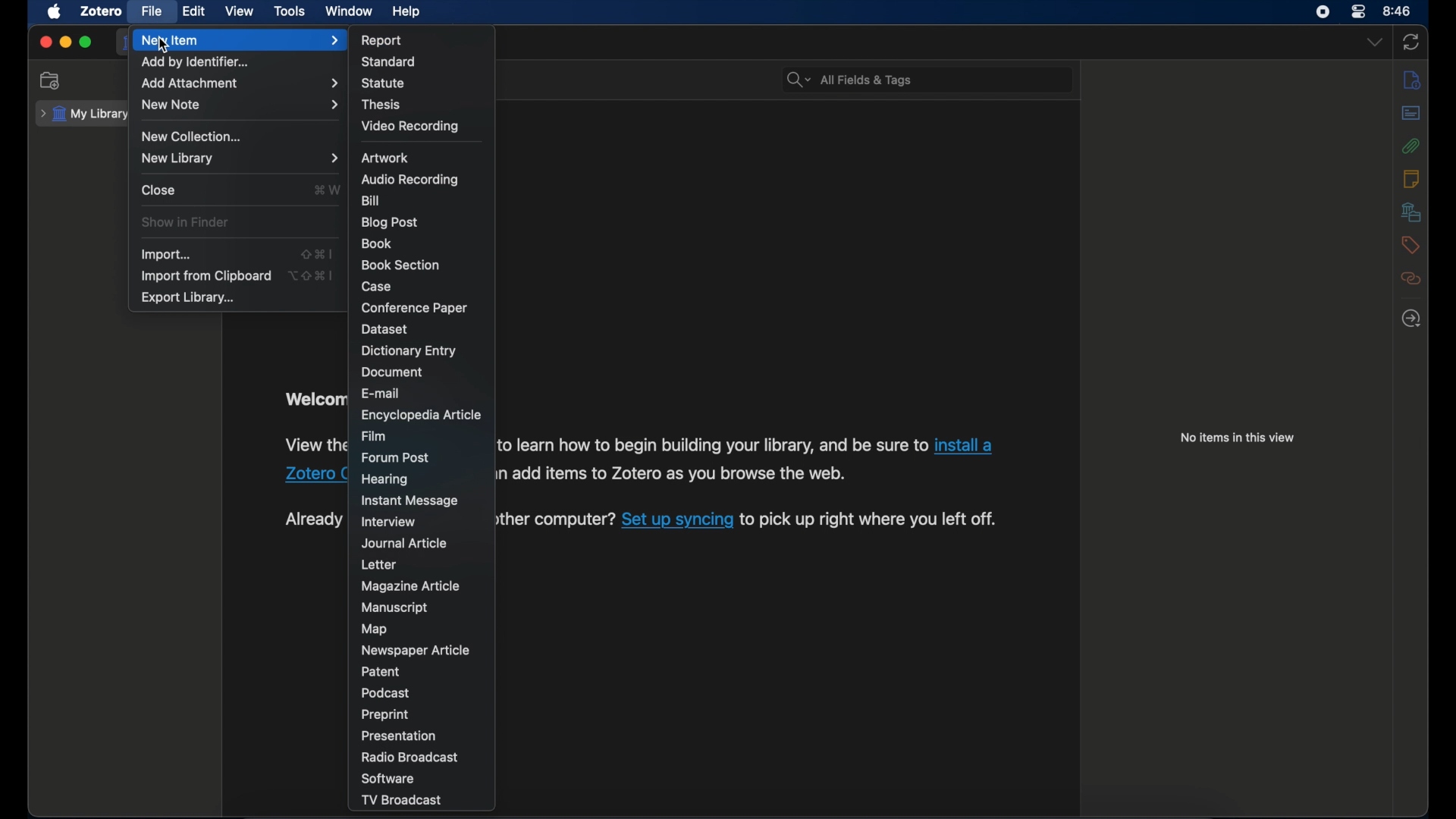 The height and width of the screenshot is (819, 1456). Describe the element at coordinates (102, 11) in the screenshot. I see `zotero` at that location.